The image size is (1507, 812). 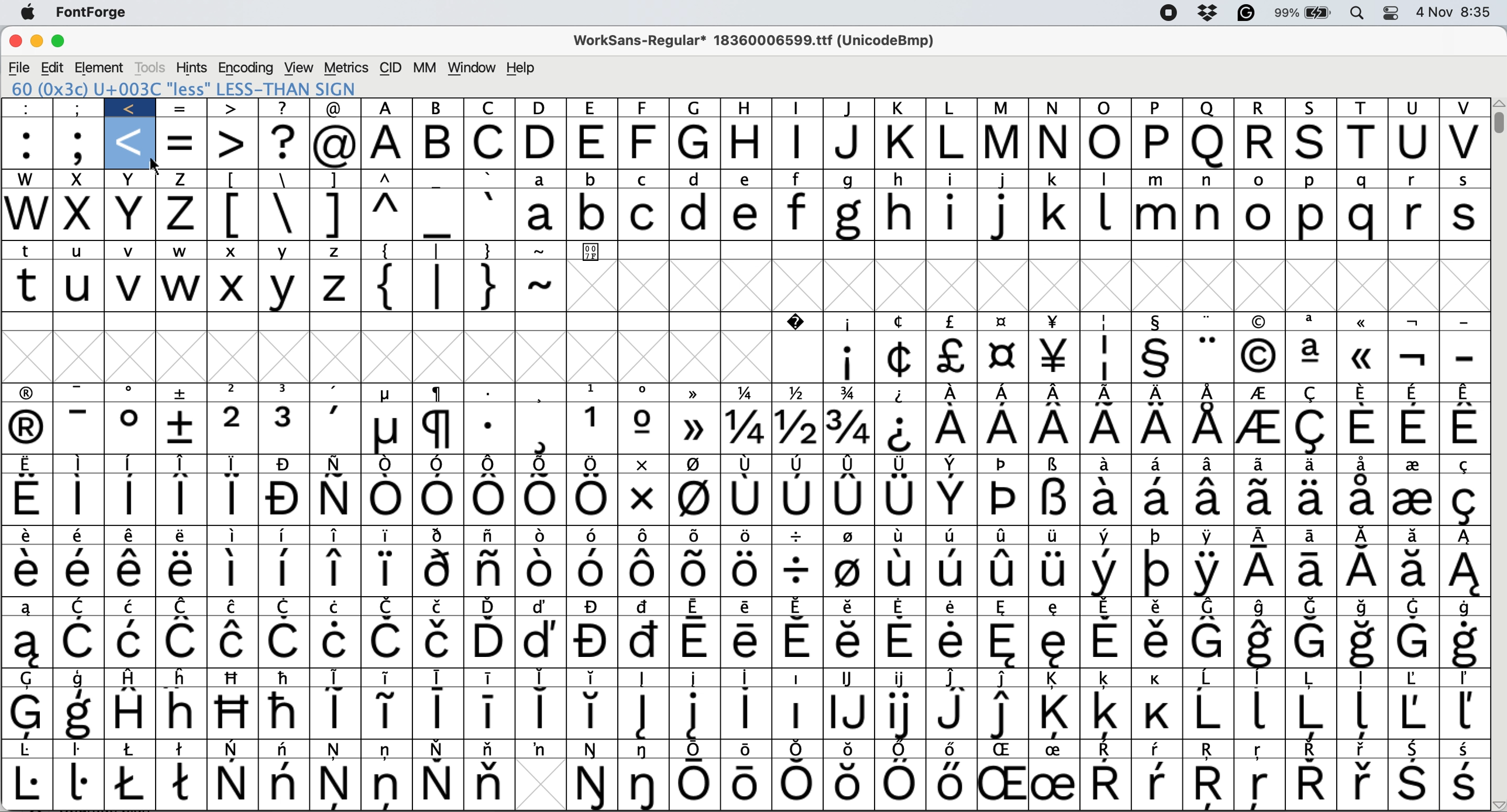 What do you see at coordinates (540, 711) in the screenshot?
I see `Symbol` at bounding box center [540, 711].